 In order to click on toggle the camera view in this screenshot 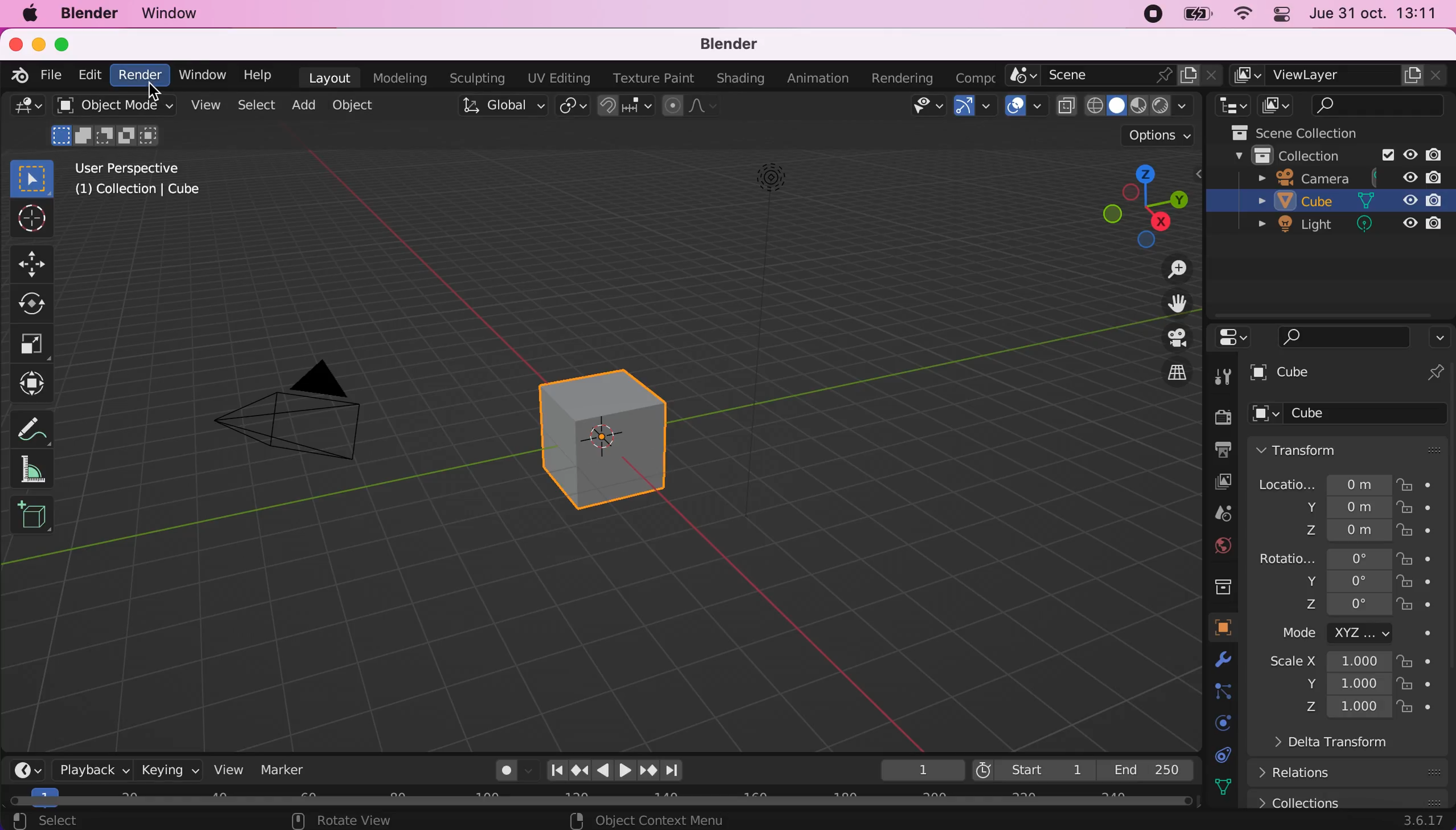, I will do `click(1167, 338)`.